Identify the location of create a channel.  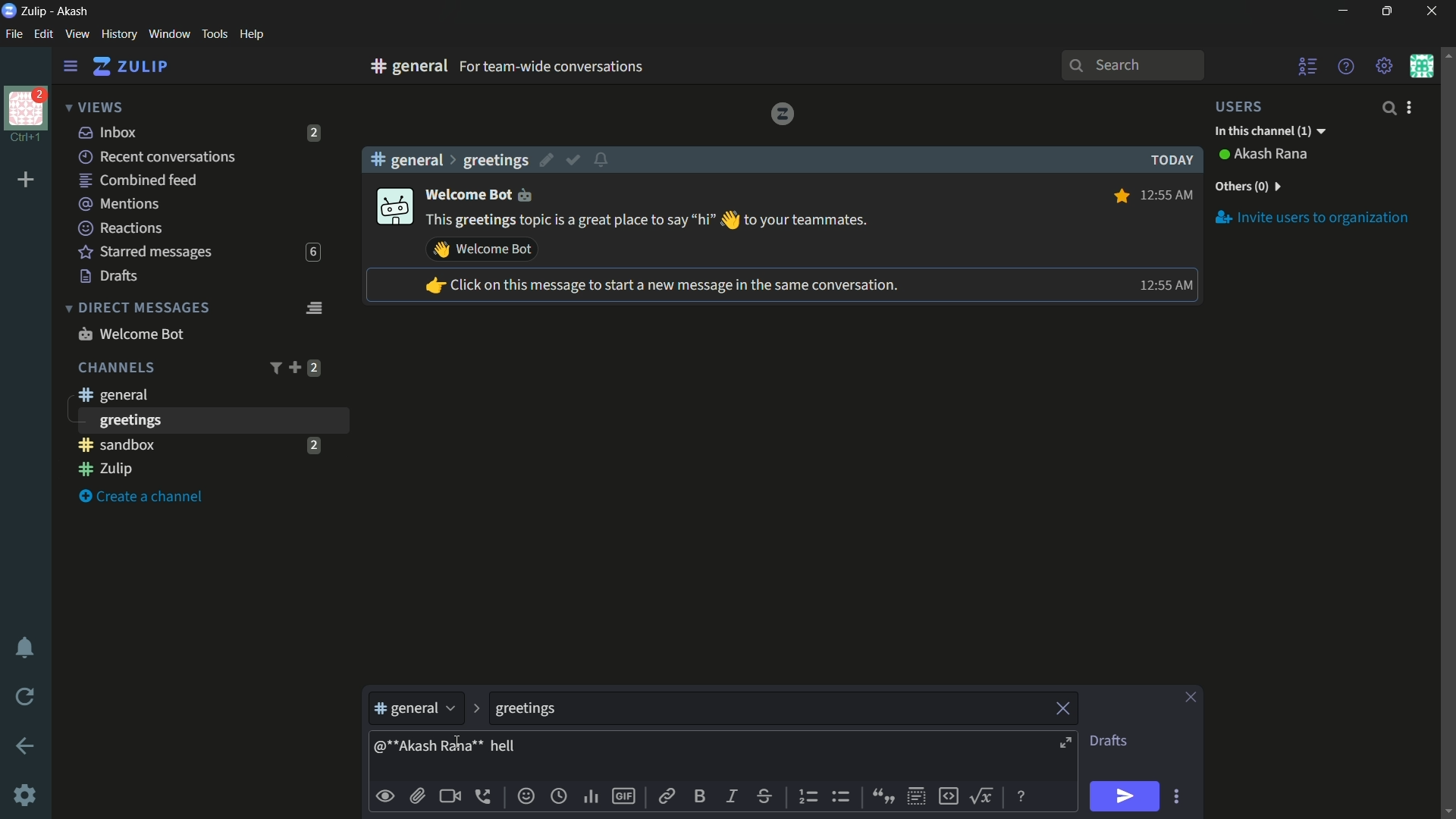
(145, 497).